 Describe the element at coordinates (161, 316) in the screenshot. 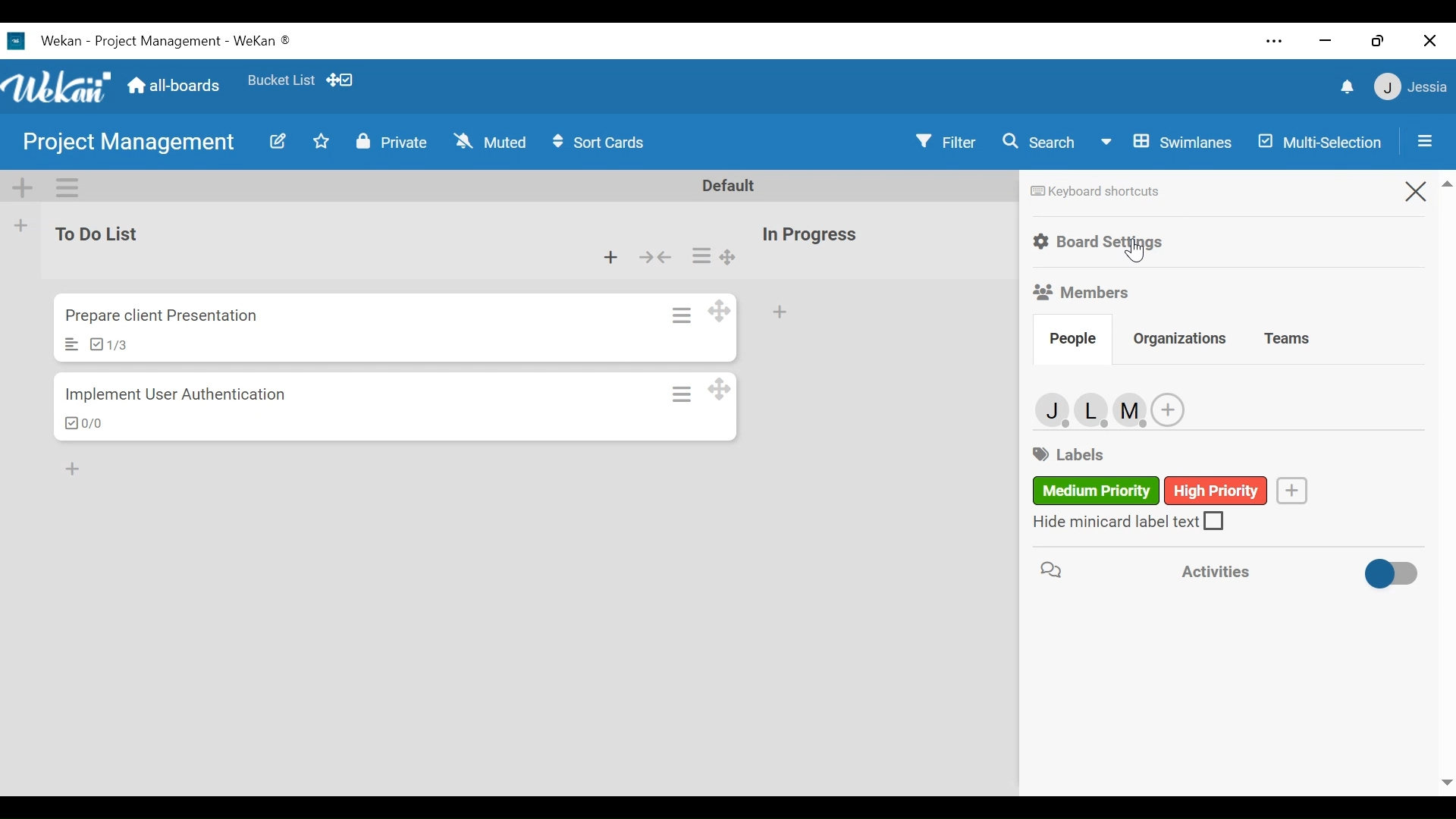

I see `Card Title` at that location.